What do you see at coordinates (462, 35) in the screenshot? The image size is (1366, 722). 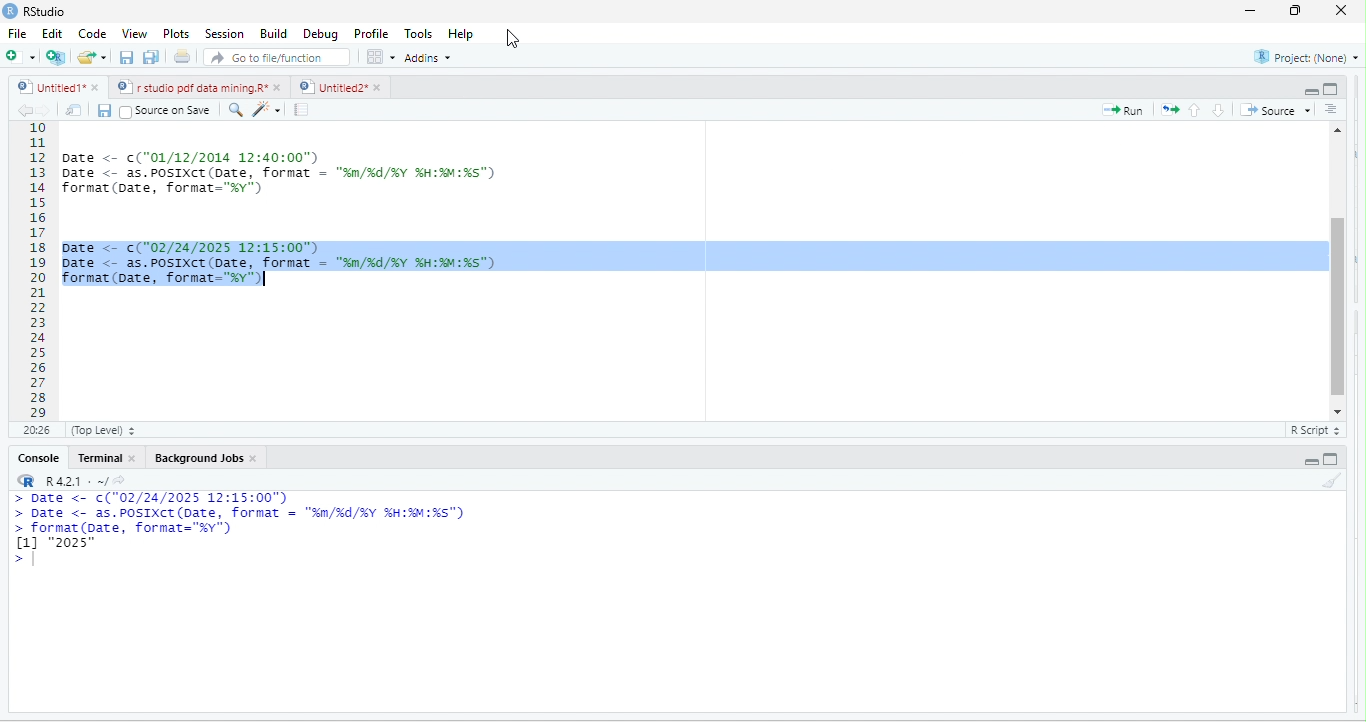 I see `Help` at bounding box center [462, 35].